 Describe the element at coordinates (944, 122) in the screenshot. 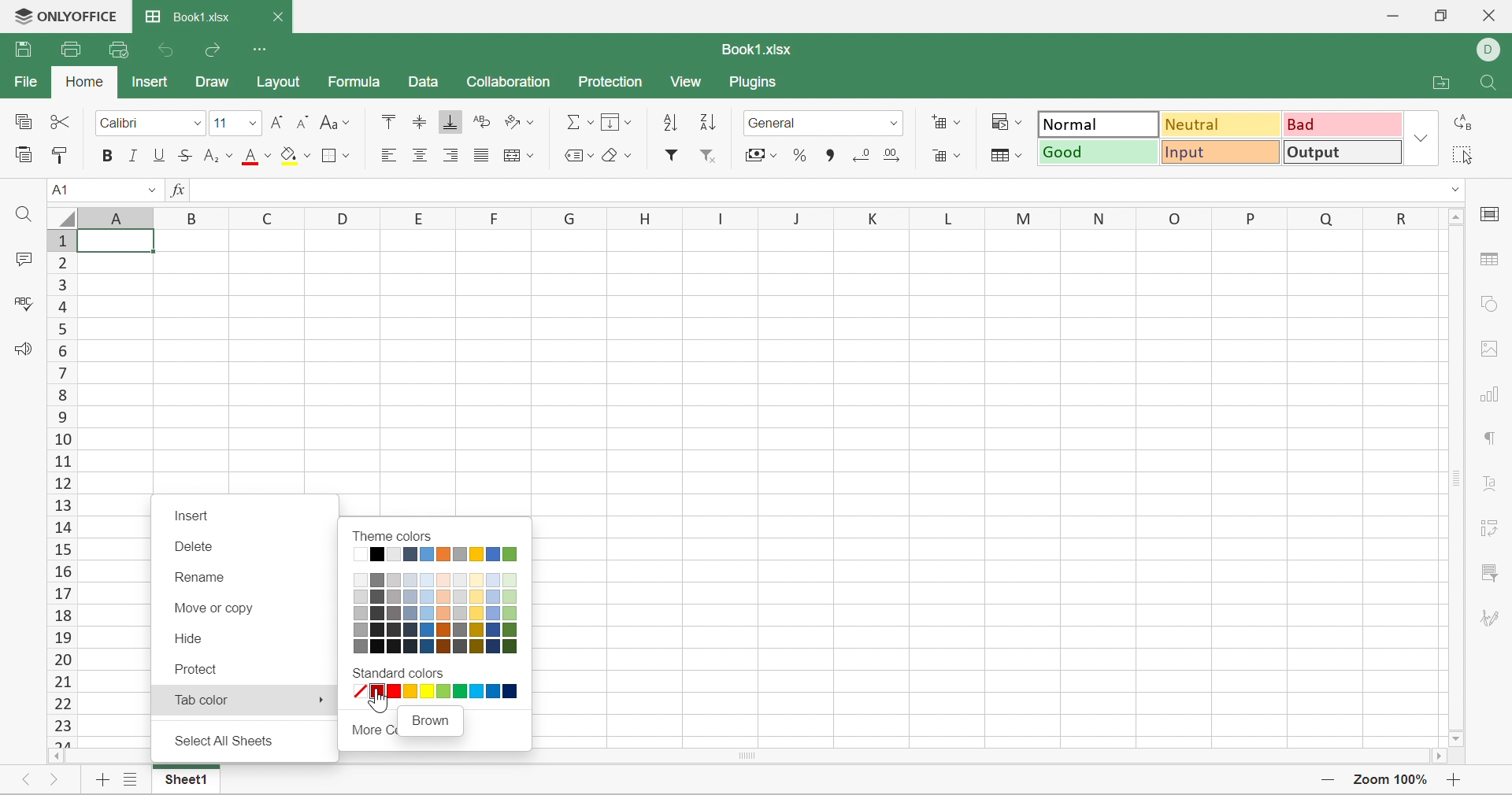

I see `Add cell` at that location.